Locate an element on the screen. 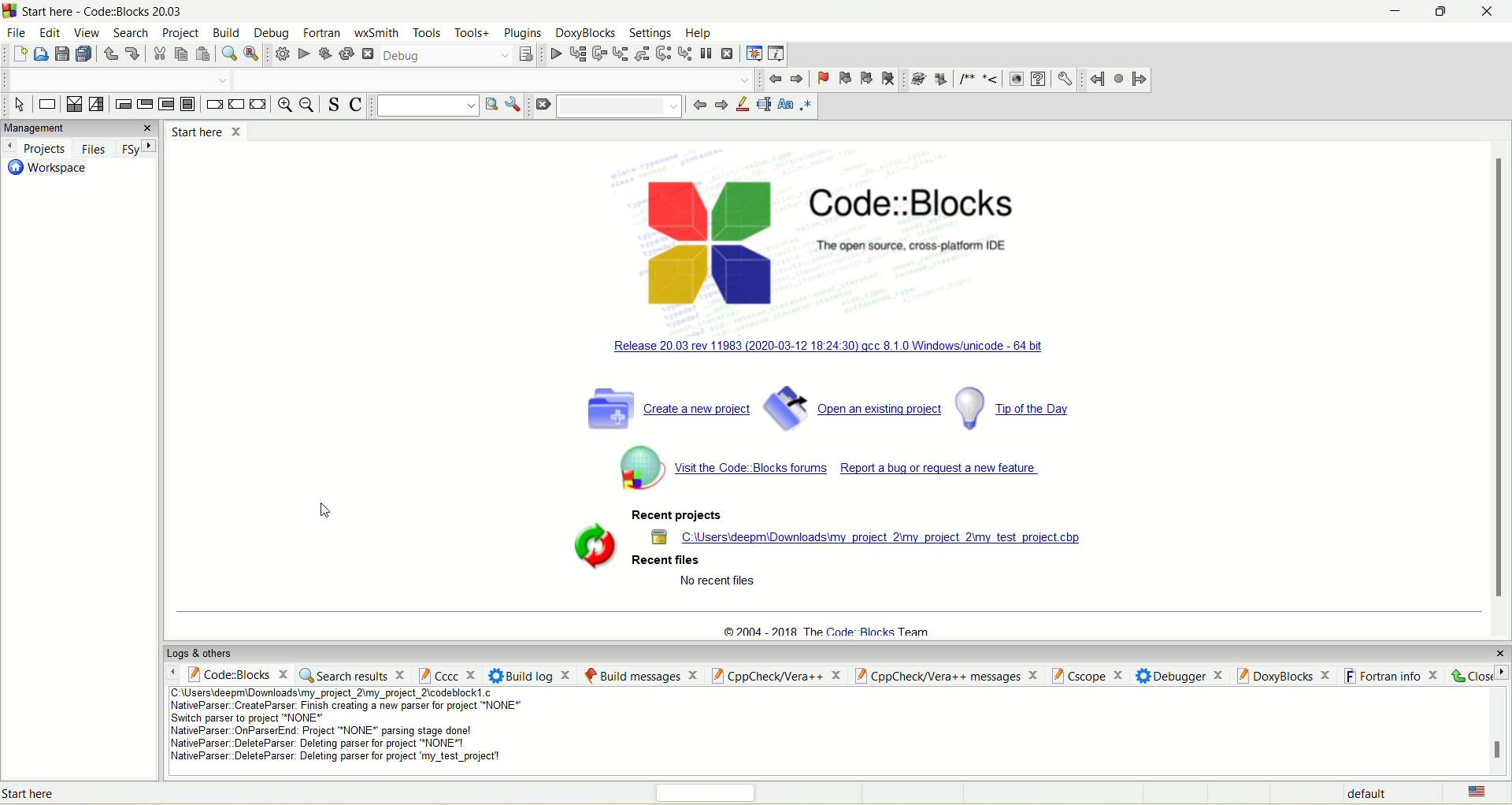  settings is located at coordinates (648, 33).